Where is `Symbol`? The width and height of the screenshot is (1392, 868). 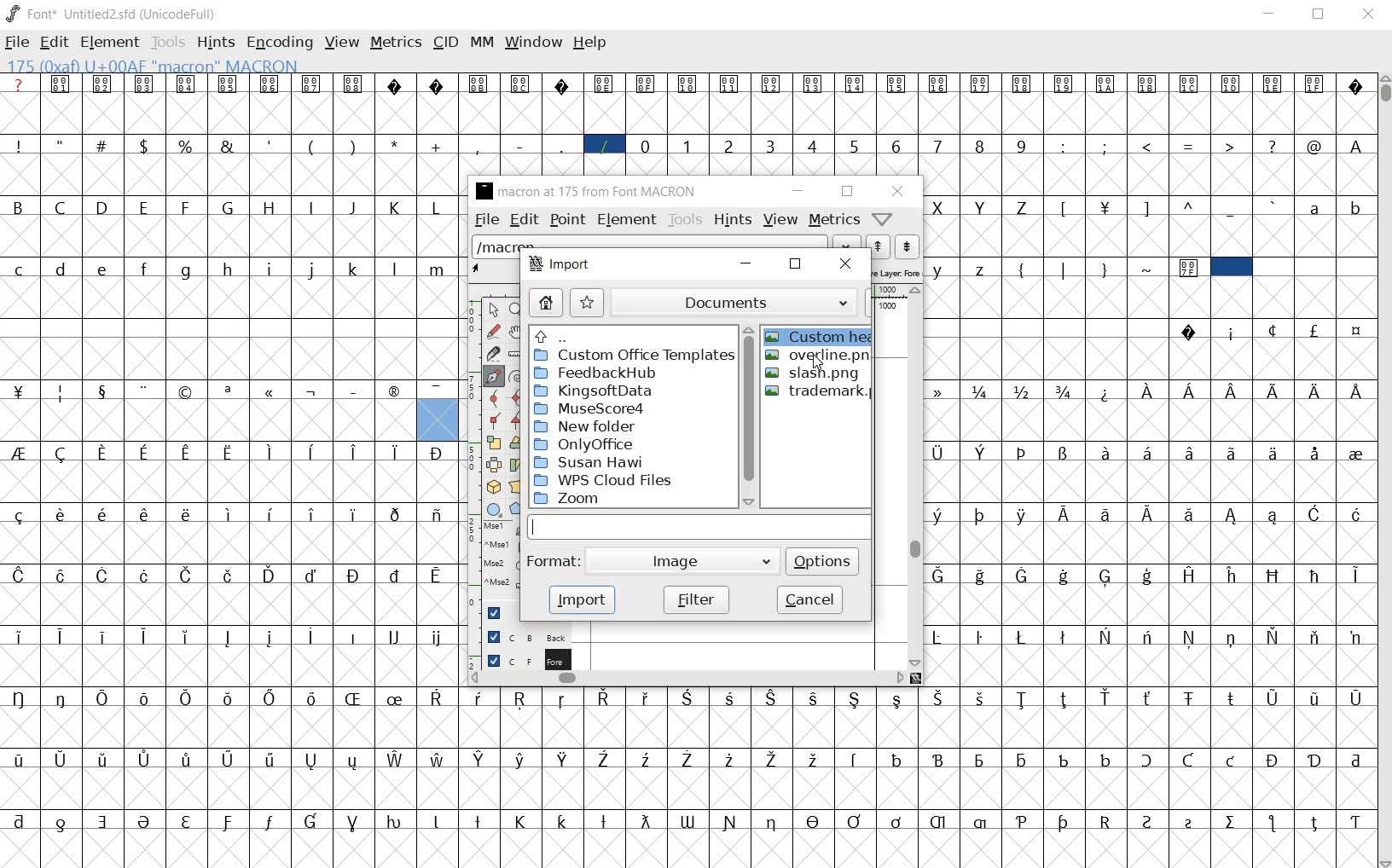 Symbol is located at coordinates (270, 637).